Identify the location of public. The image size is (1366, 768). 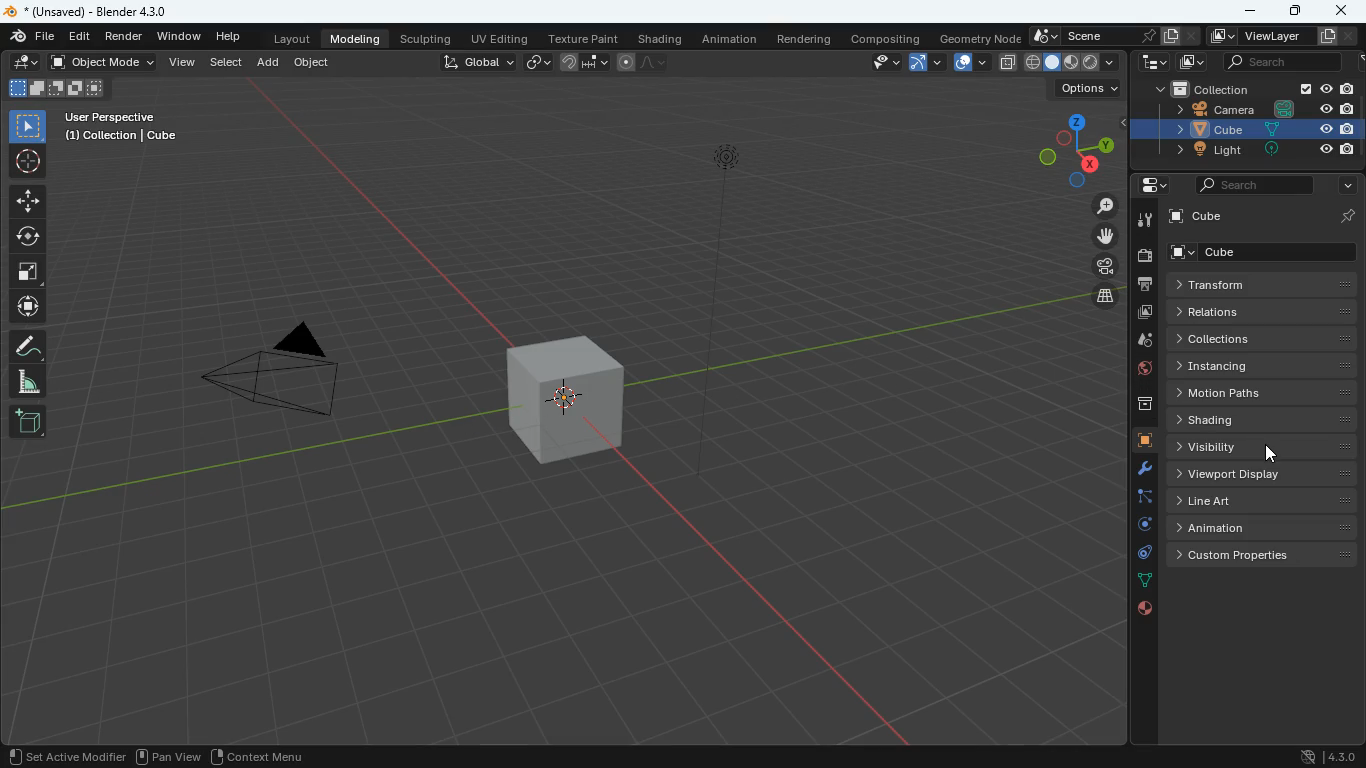
(1139, 608).